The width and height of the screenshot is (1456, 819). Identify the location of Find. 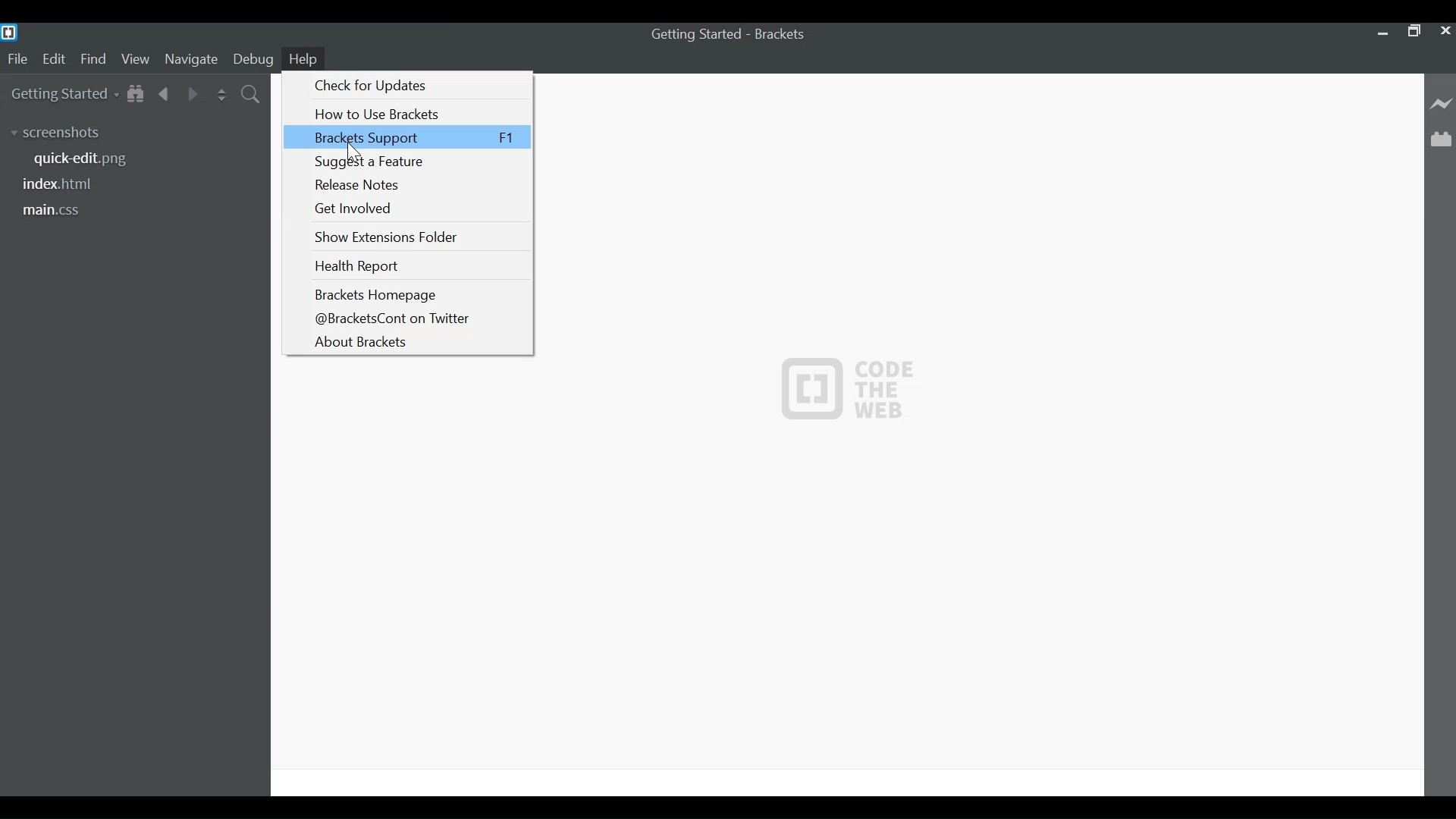
(93, 60).